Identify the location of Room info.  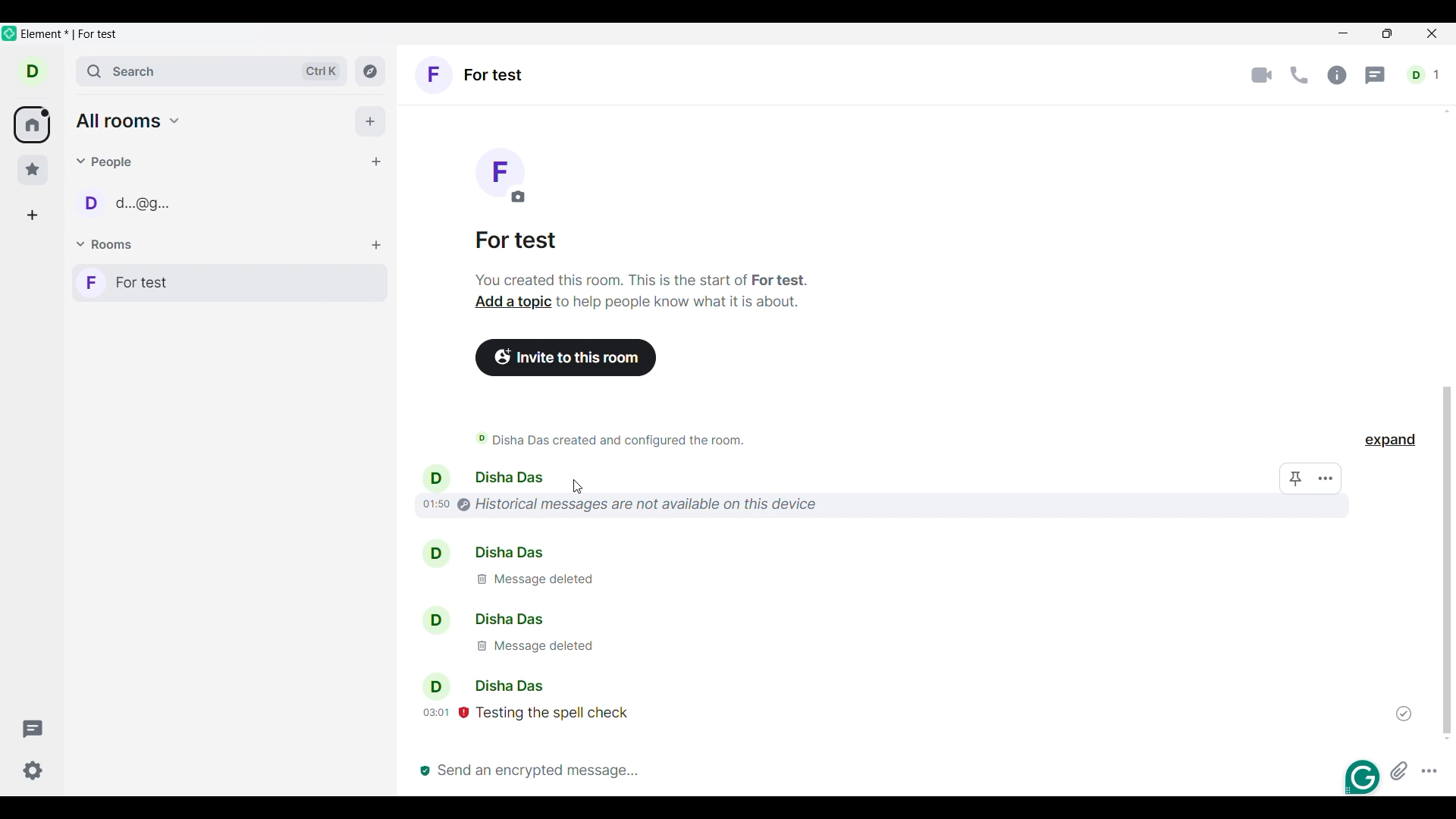
(1337, 75).